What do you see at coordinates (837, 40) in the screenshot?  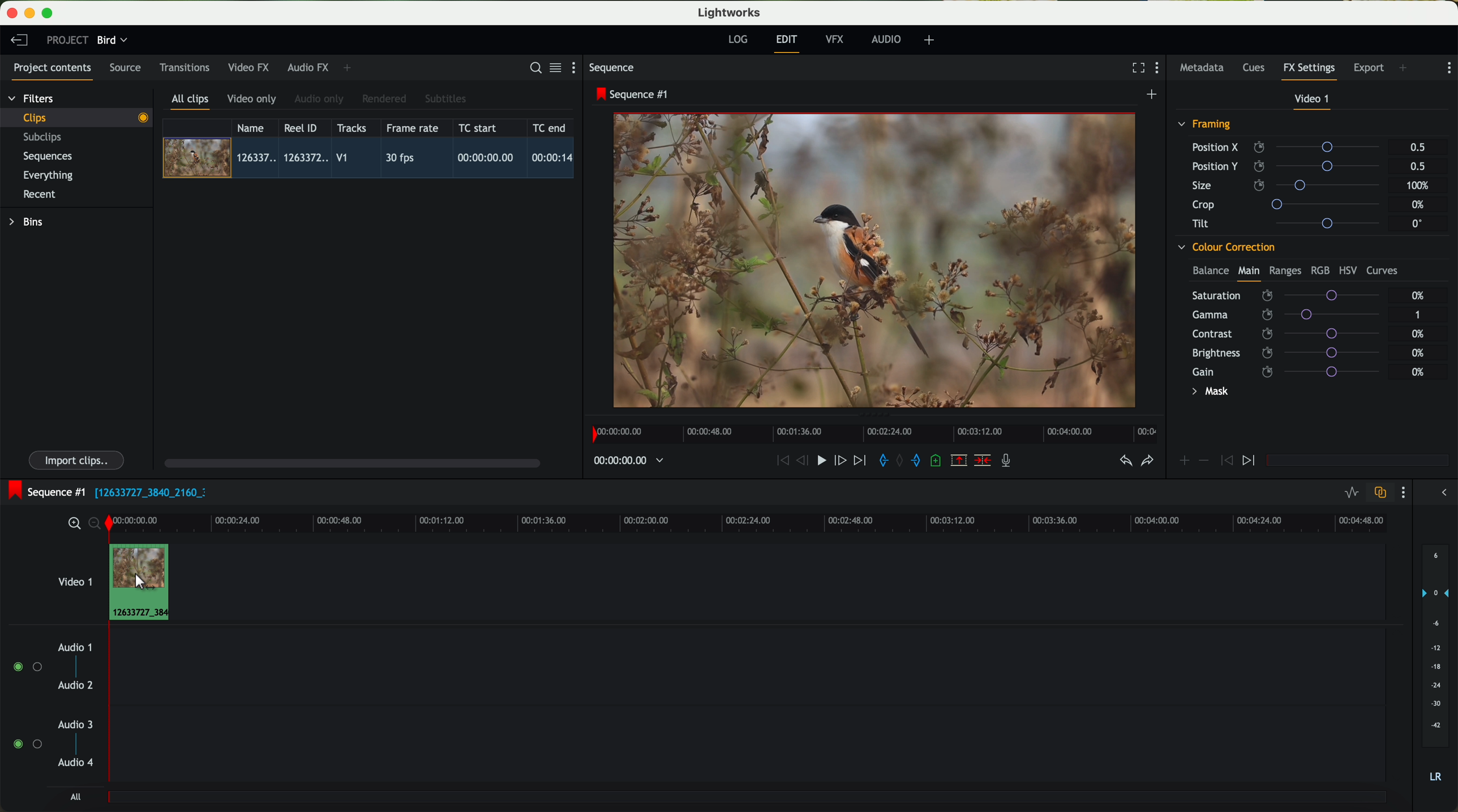 I see `VFX` at bounding box center [837, 40].